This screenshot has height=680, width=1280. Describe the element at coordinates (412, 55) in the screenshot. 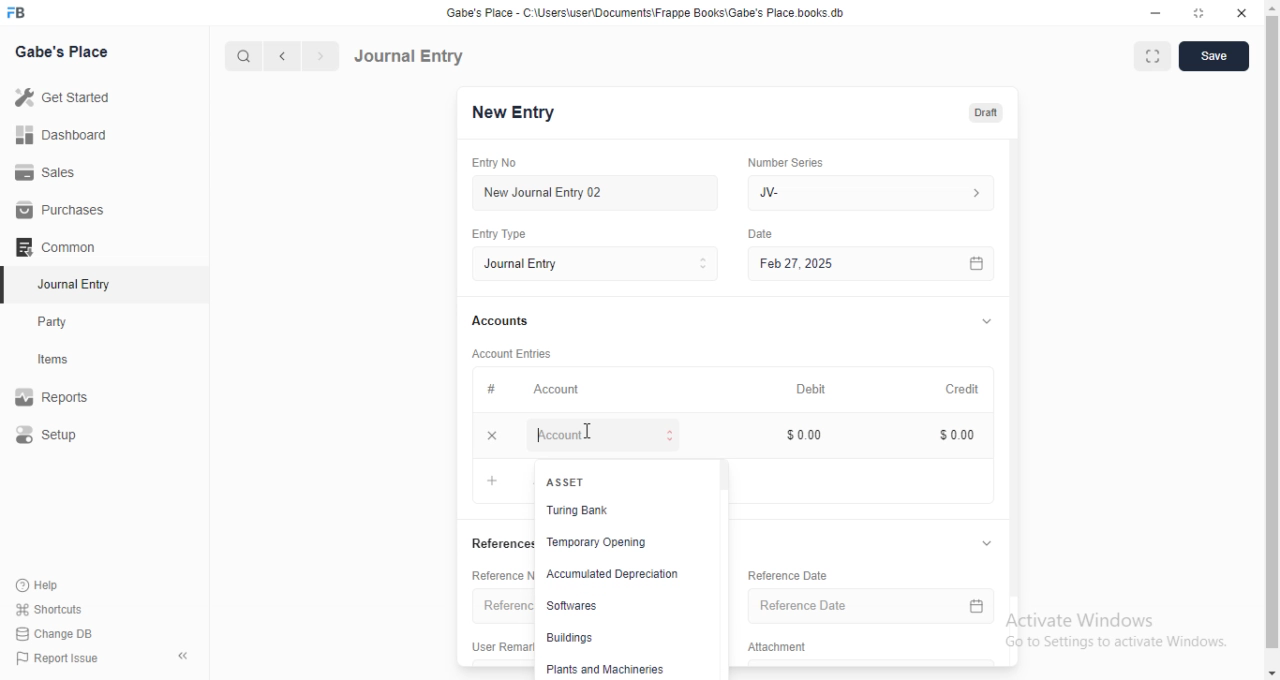

I see `Journal Entry` at that location.